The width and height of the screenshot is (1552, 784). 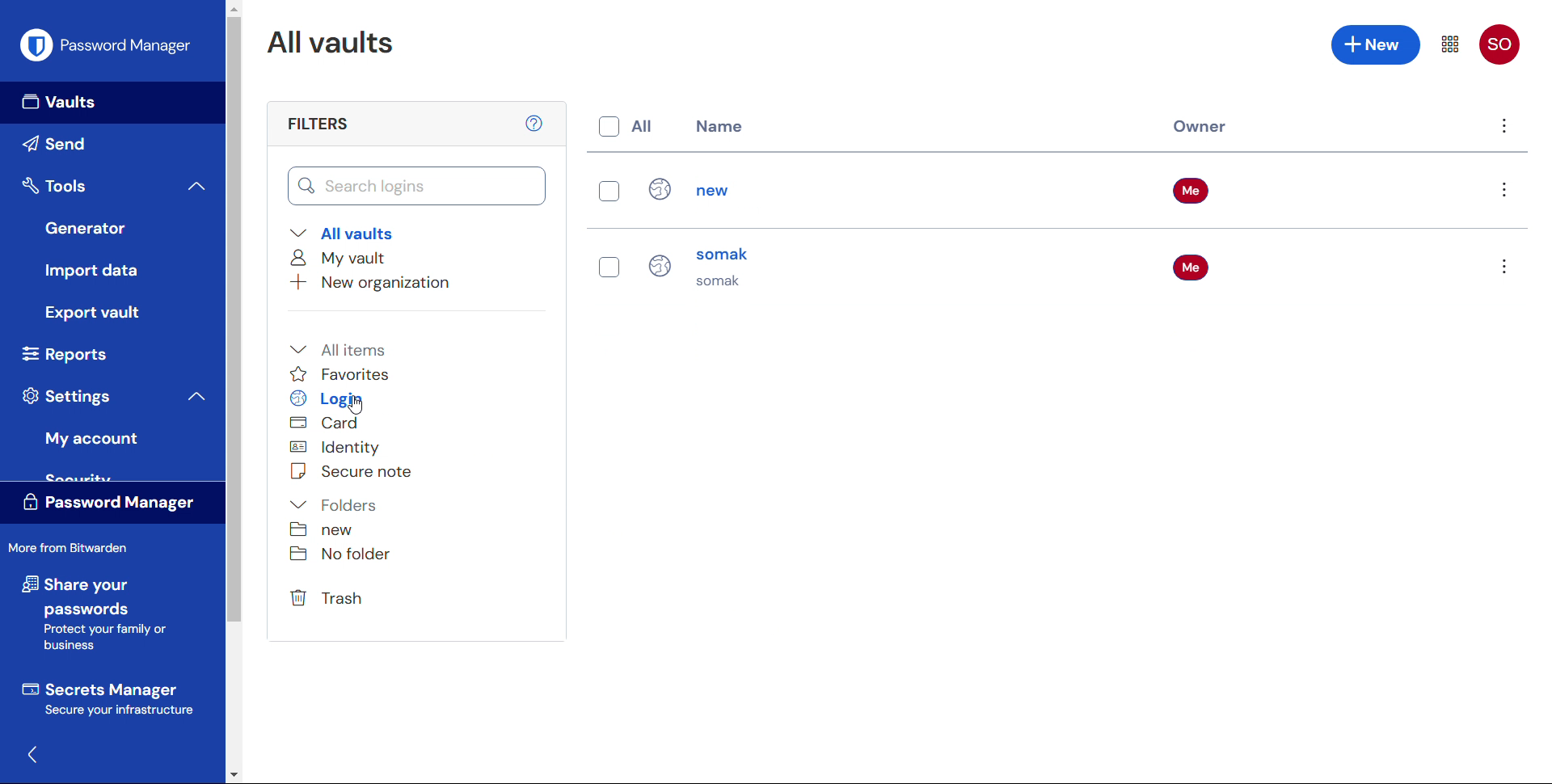 I want to click on send , so click(x=113, y=142).